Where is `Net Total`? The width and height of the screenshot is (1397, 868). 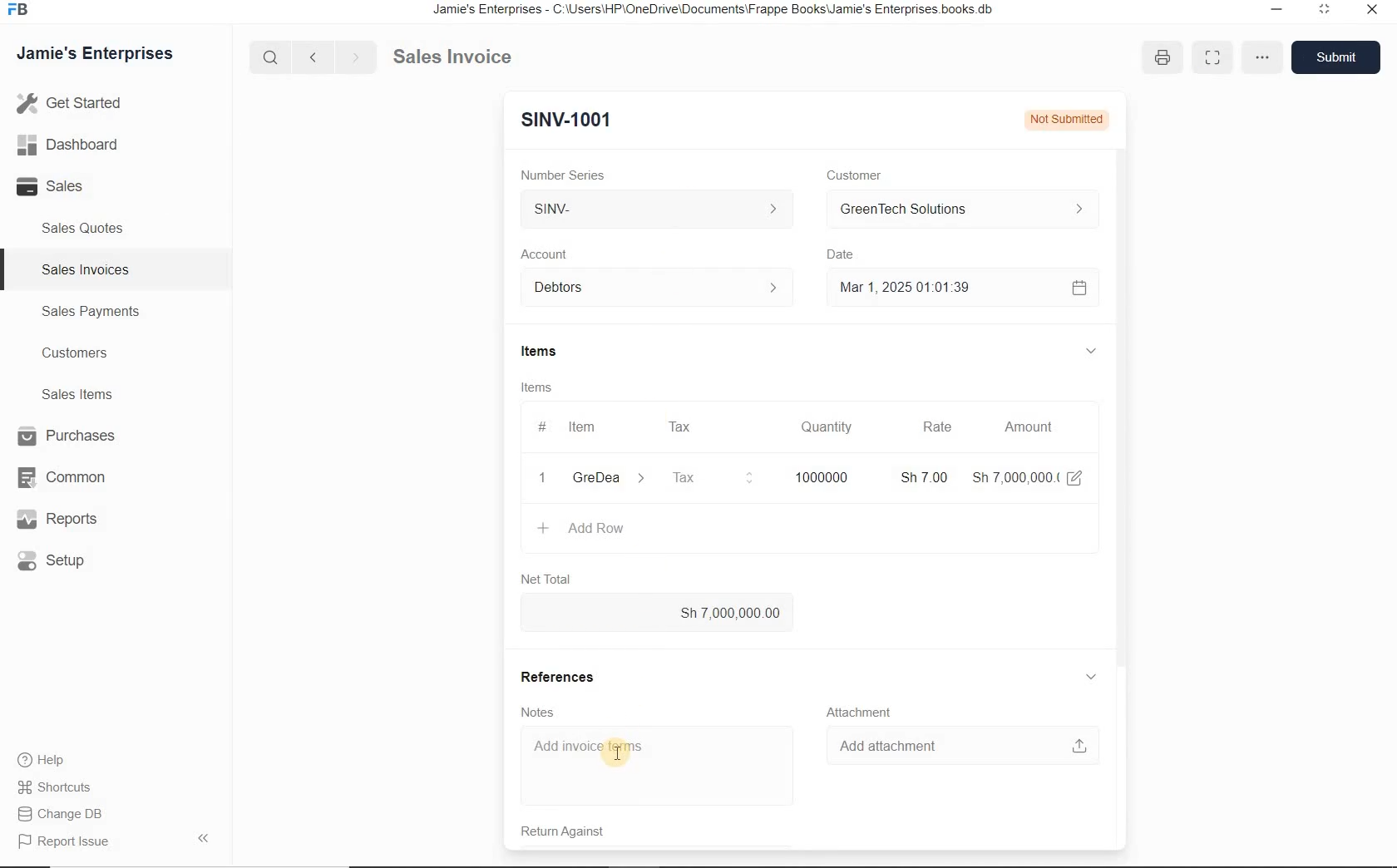
Net Total is located at coordinates (543, 578).